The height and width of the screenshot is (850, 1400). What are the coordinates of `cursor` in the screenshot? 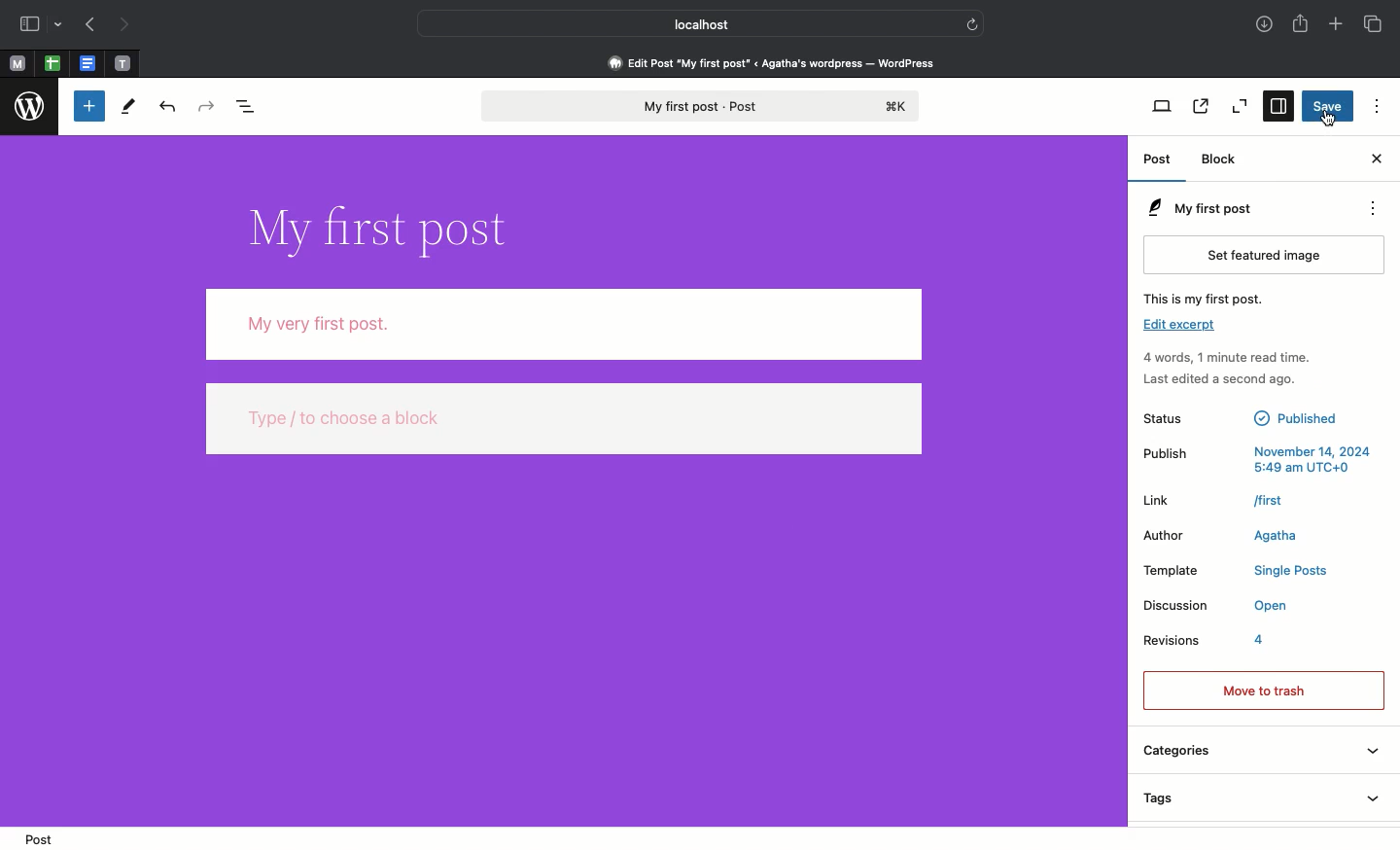 It's located at (1327, 122).